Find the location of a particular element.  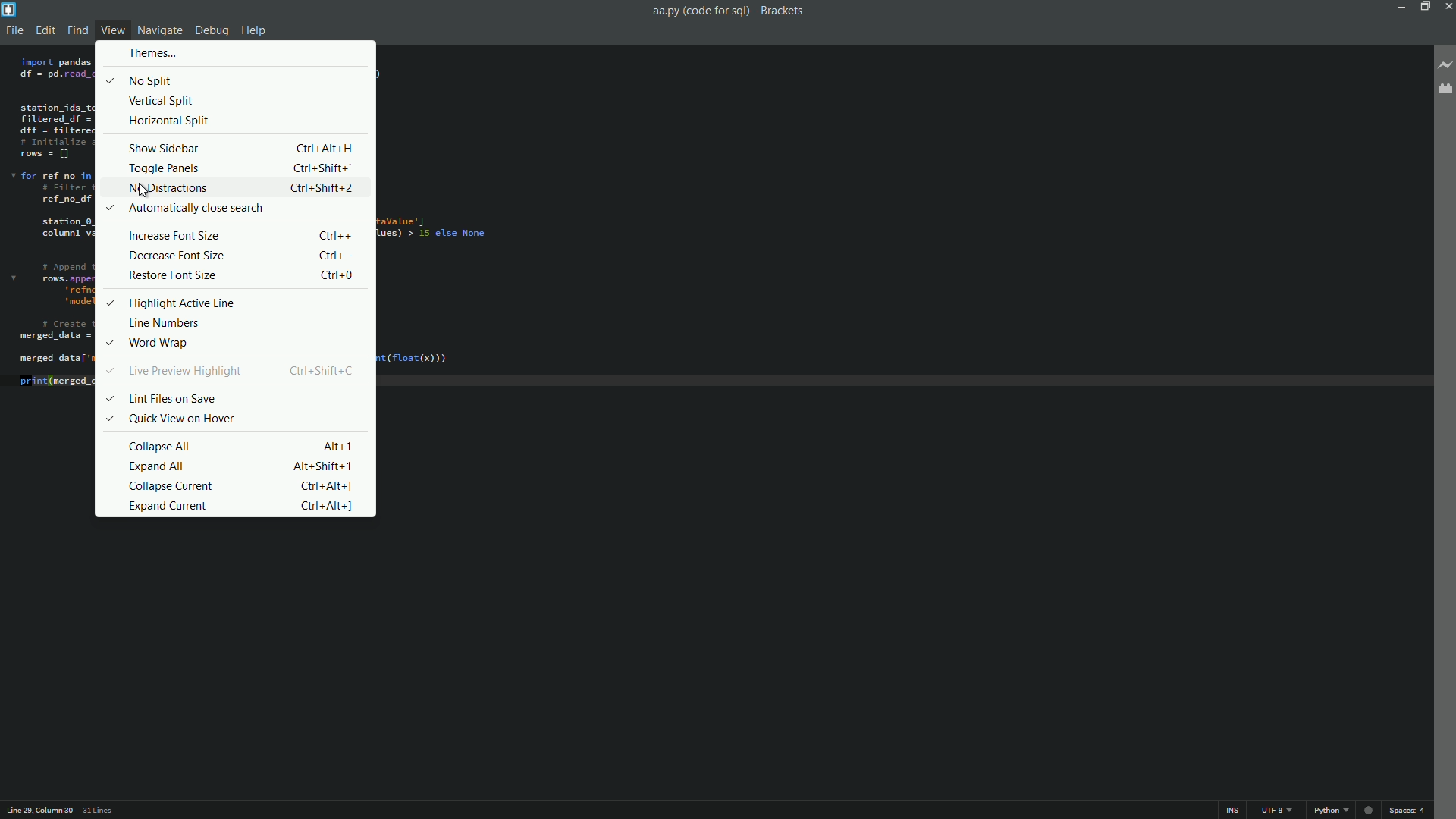

edit menu is located at coordinates (43, 30).